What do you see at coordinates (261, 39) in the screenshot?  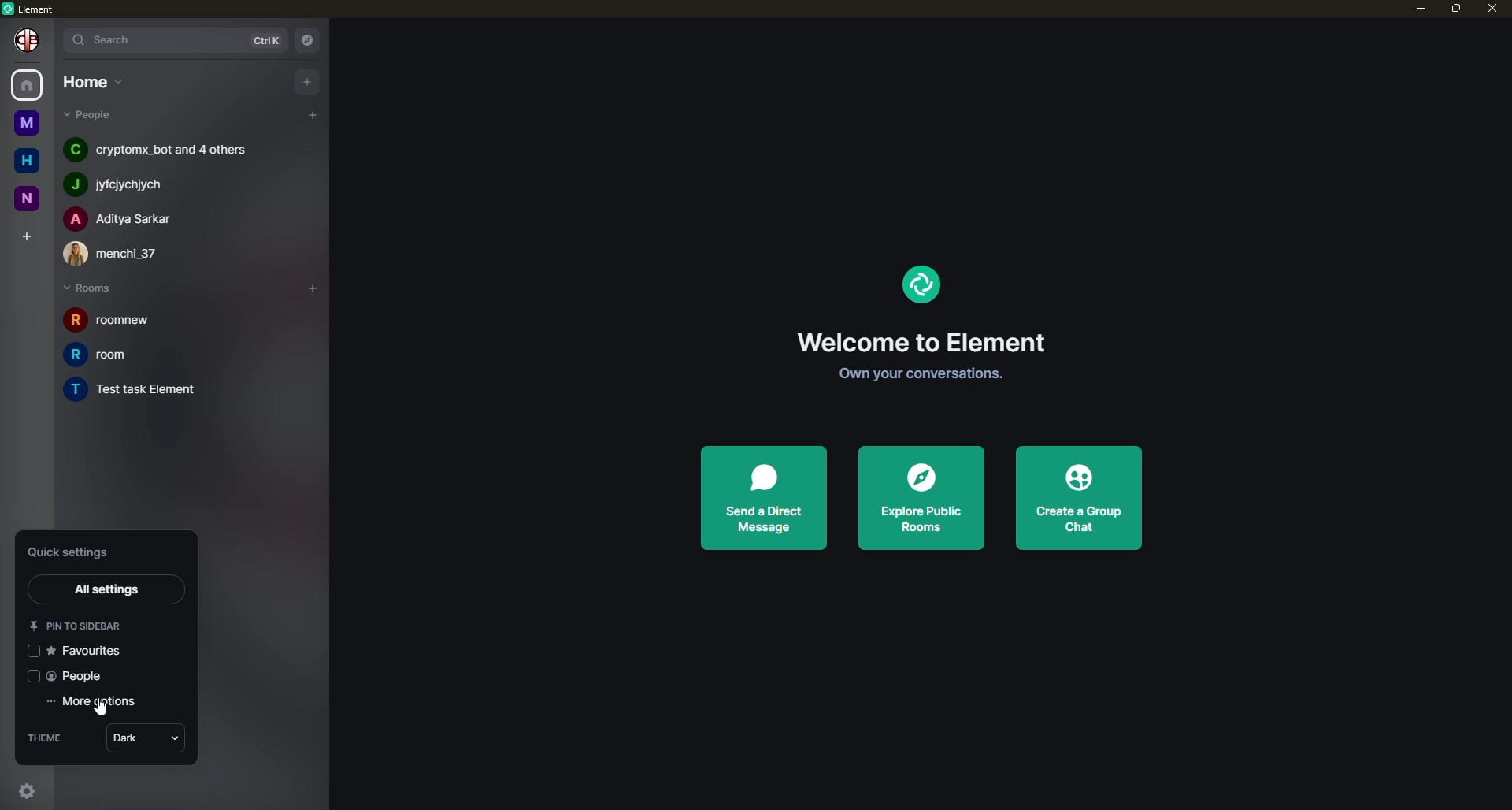 I see `ctrl K` at bounding box center [261, 39].